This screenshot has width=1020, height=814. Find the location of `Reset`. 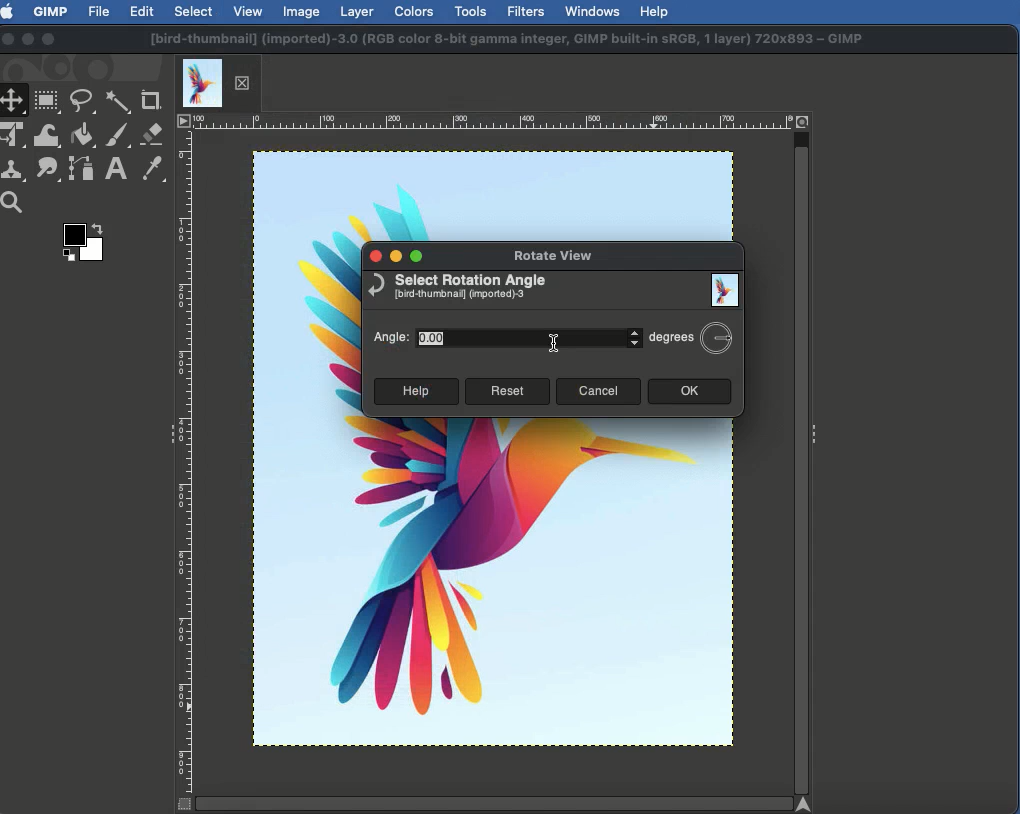

Reset is located at coordinates (507, 391).